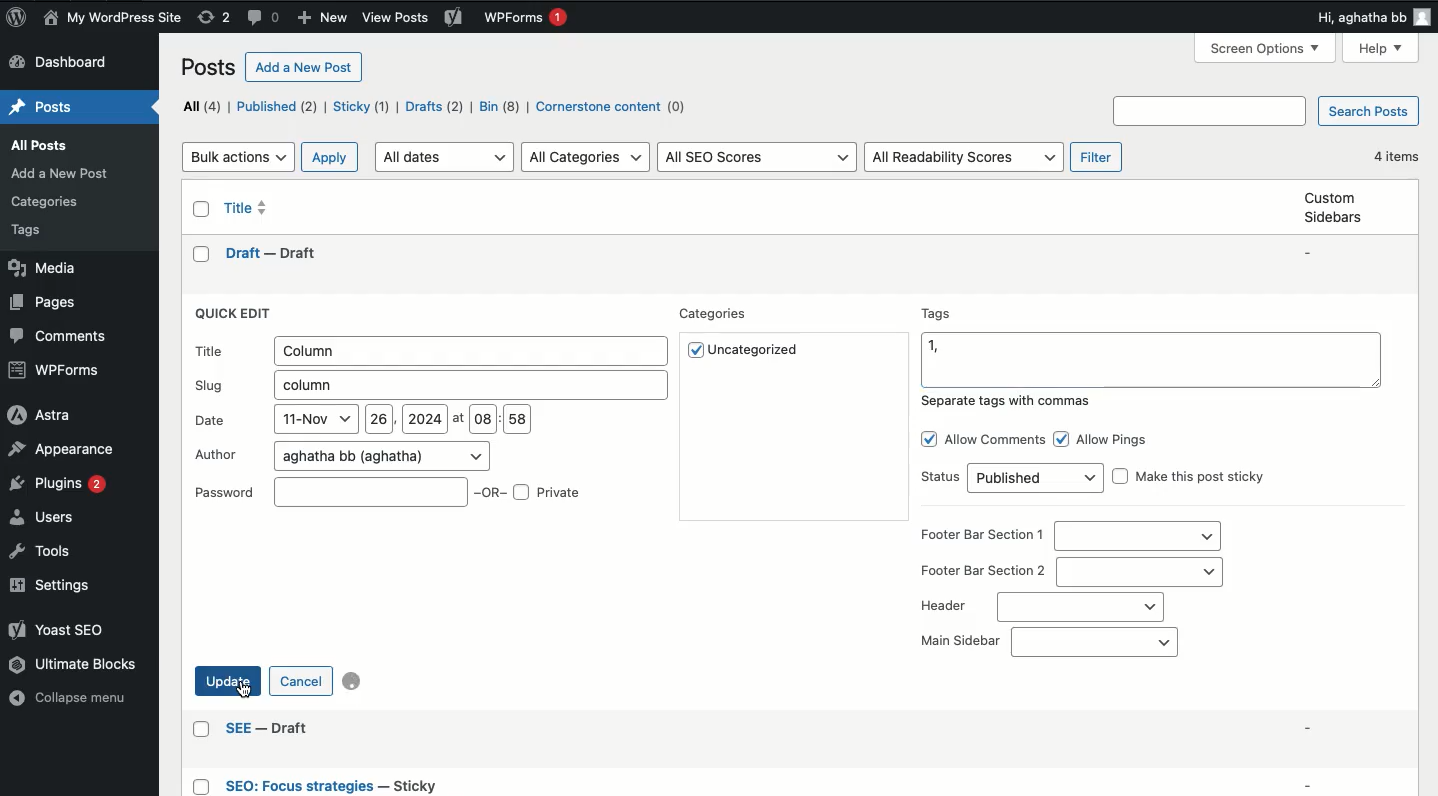 The width and height of the screenshot is (1438, 796). I want to click on All dates, so click(447, 156).